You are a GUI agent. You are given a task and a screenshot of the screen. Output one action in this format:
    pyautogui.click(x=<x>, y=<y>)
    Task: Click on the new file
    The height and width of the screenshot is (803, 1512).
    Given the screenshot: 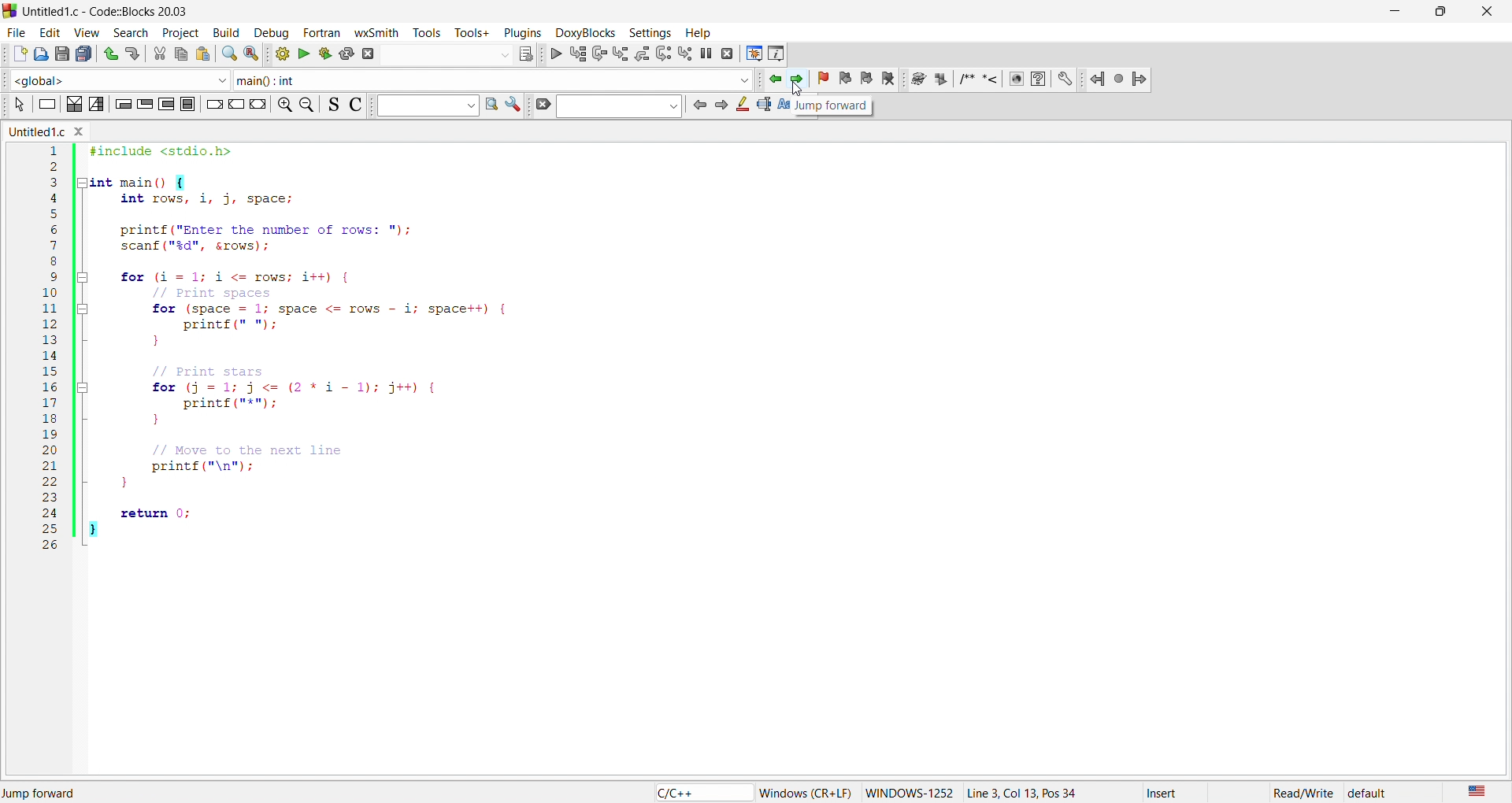 What is the action you would take?
    pyautogui.click(x=17, y=54)
    